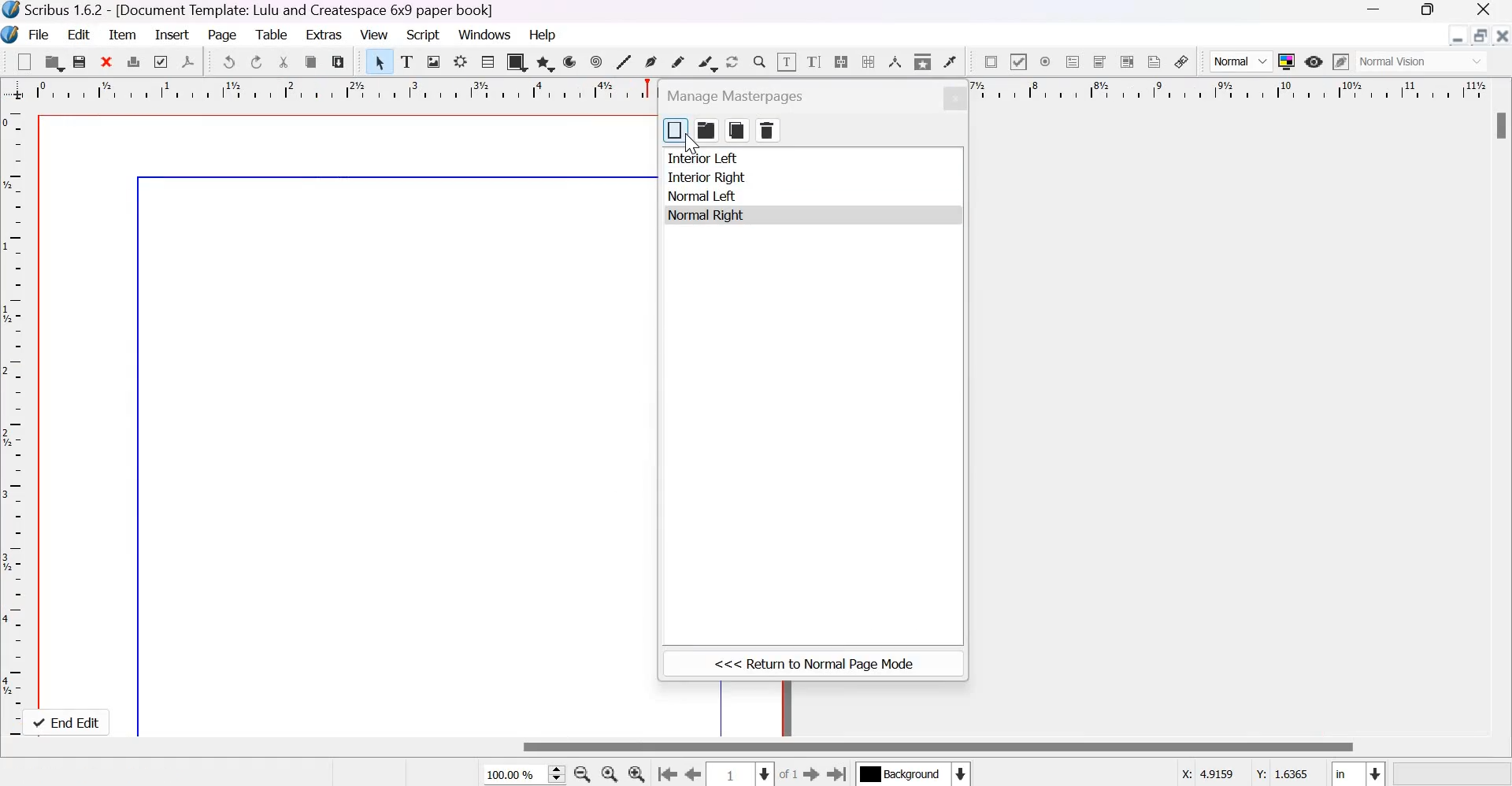  What do you see at coordinates (1242, 62) in the screenshot?
I see `Normal` at bounding box center [1242, 62].